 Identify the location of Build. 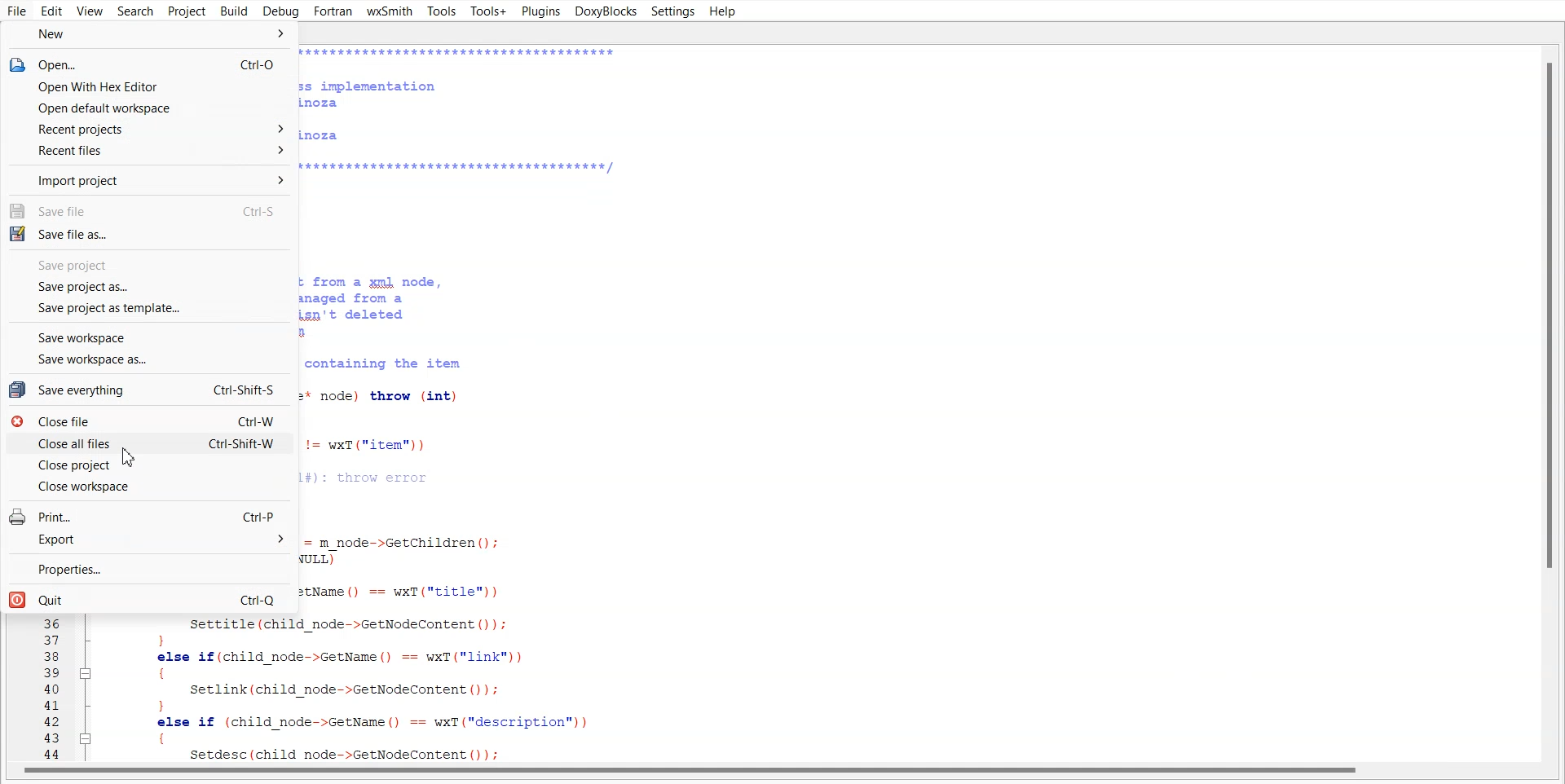
(234, 11).